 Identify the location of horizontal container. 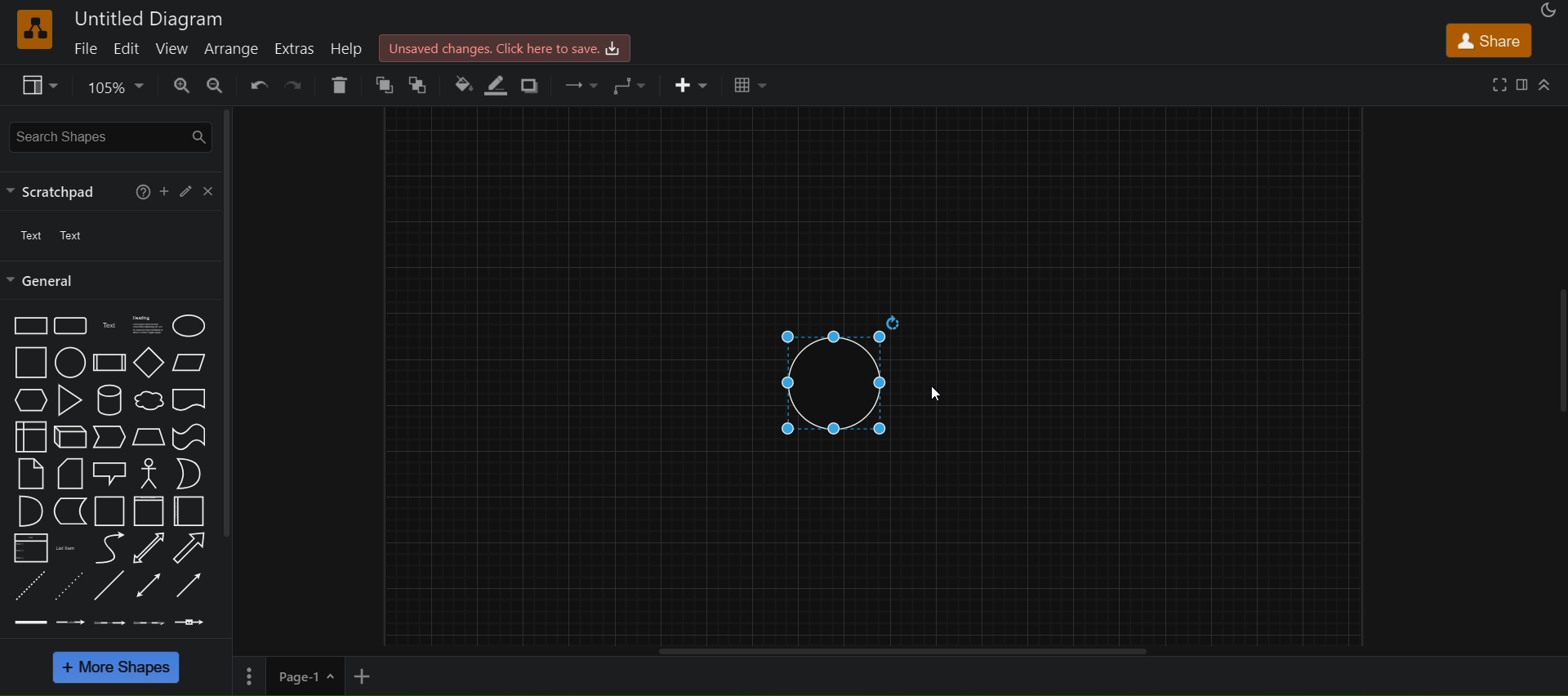
(192, 511).